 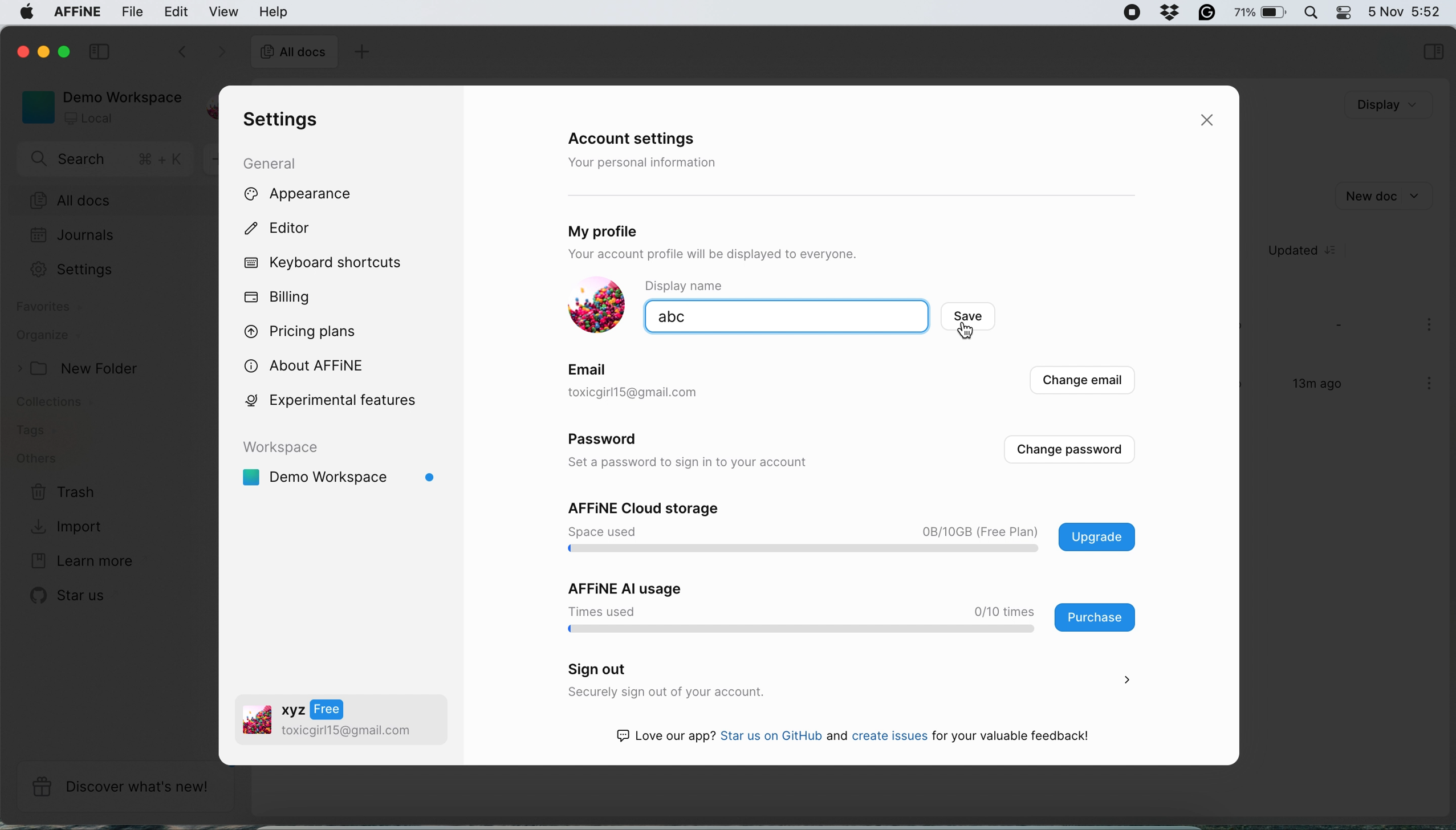 I want to click on control center, so click(x=1343, y=13).